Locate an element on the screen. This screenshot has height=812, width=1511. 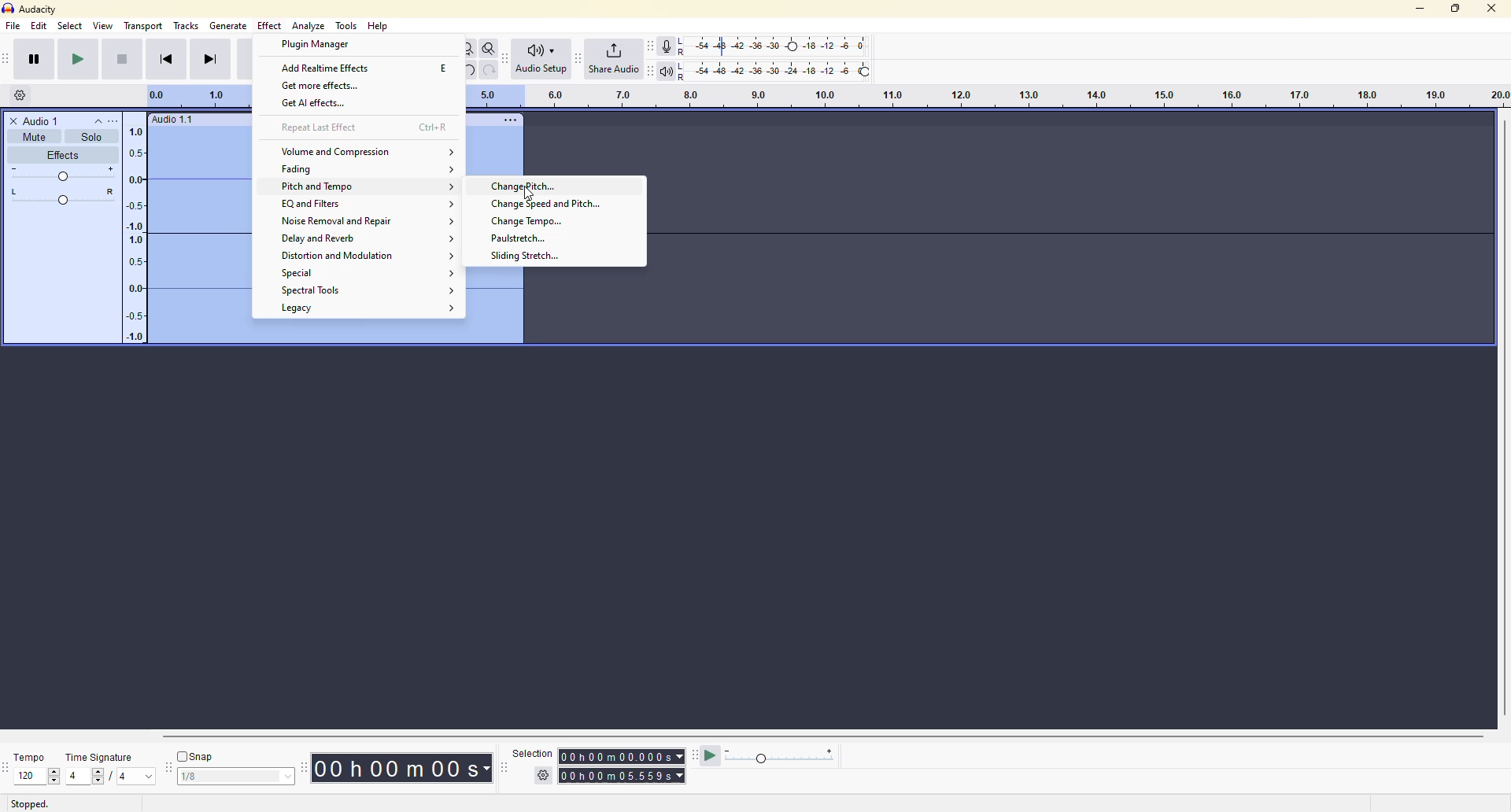
drop down is located at coordinates (149, 777).